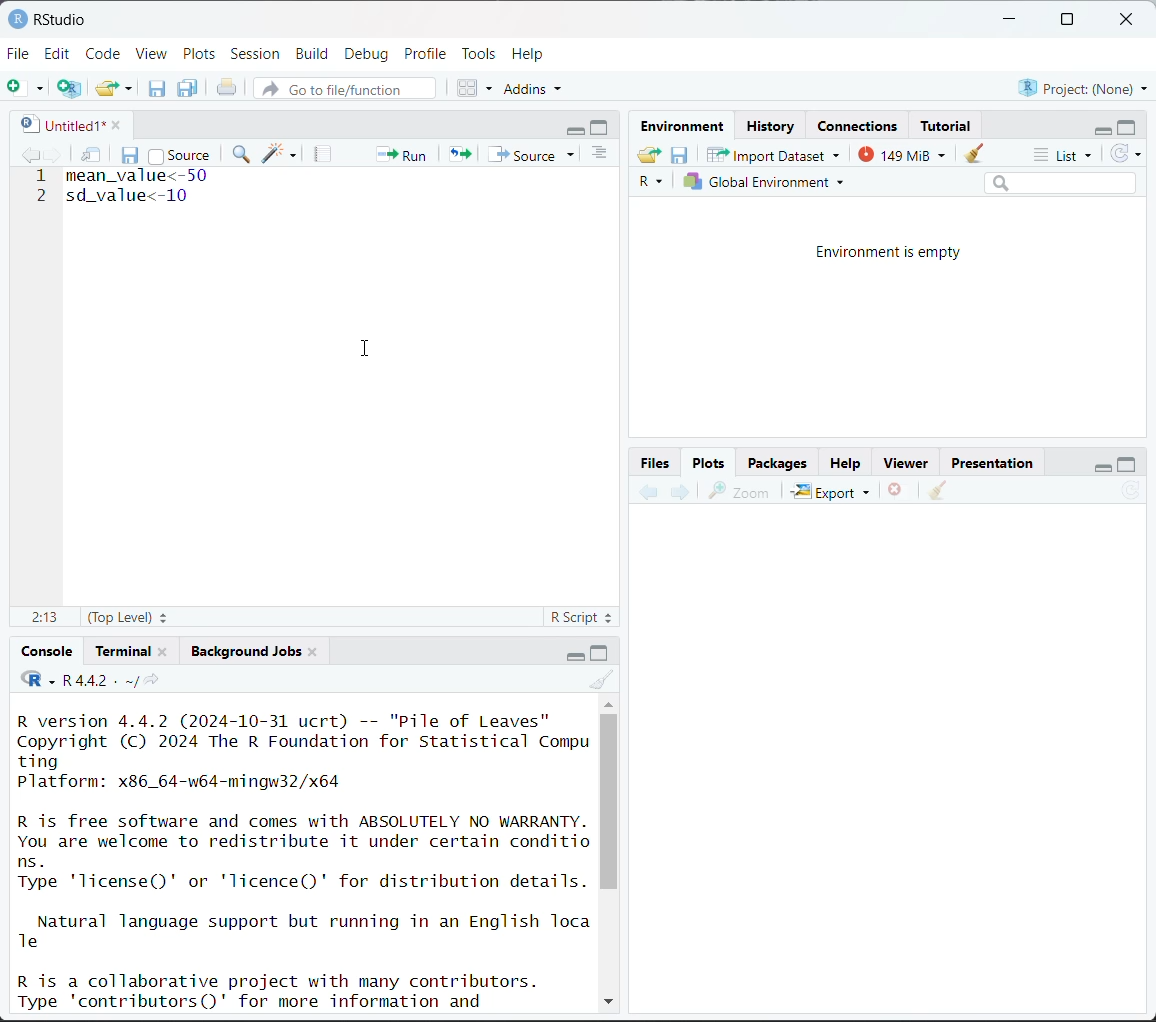  I want to click on down, so click(607, 998).